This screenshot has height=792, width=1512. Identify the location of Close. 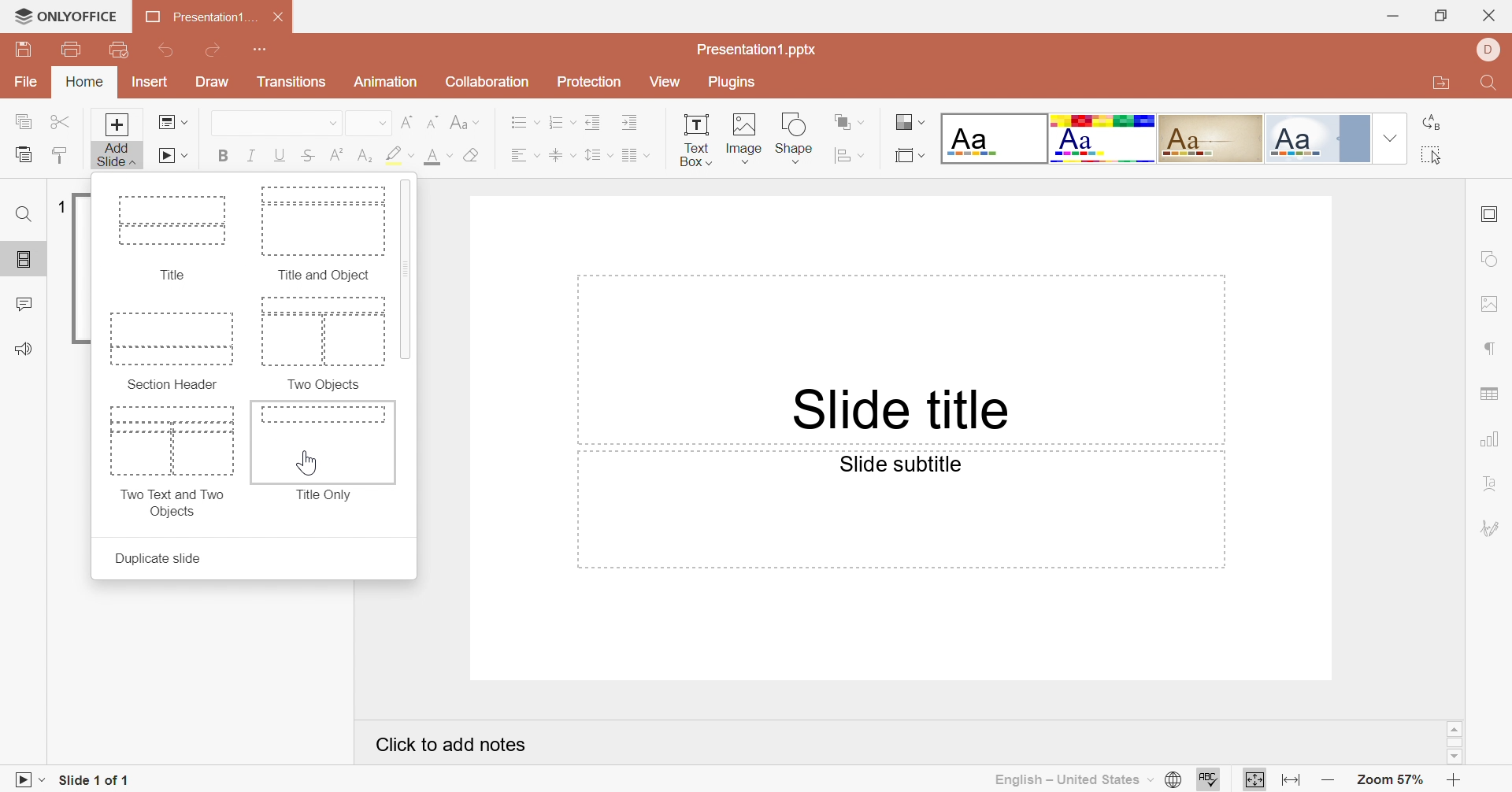
(280, 17).